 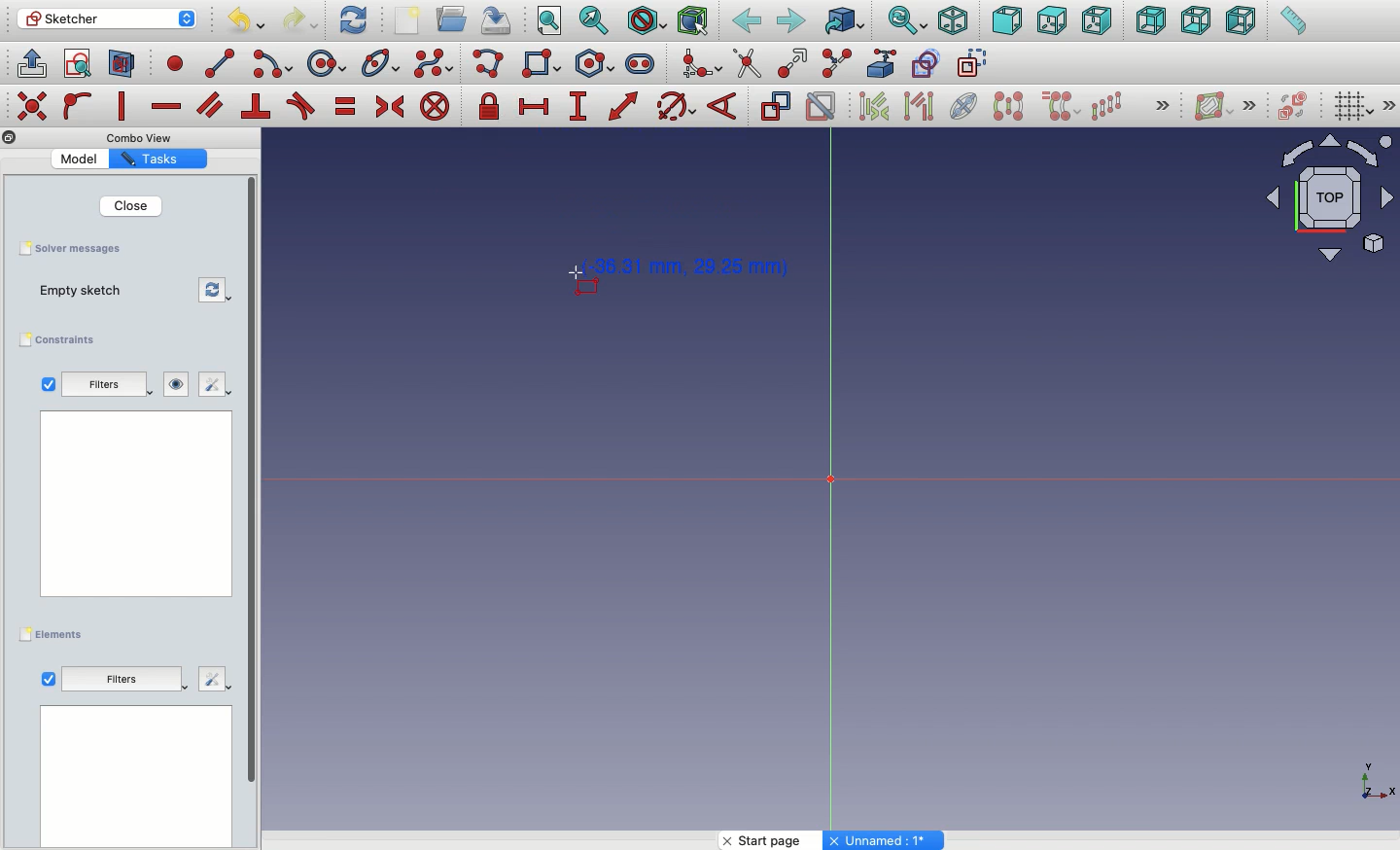 What do you see at coordinates (775, 105) in the screenshot?
I see `Toggle reference constraint` at bounding box center [775, 105].